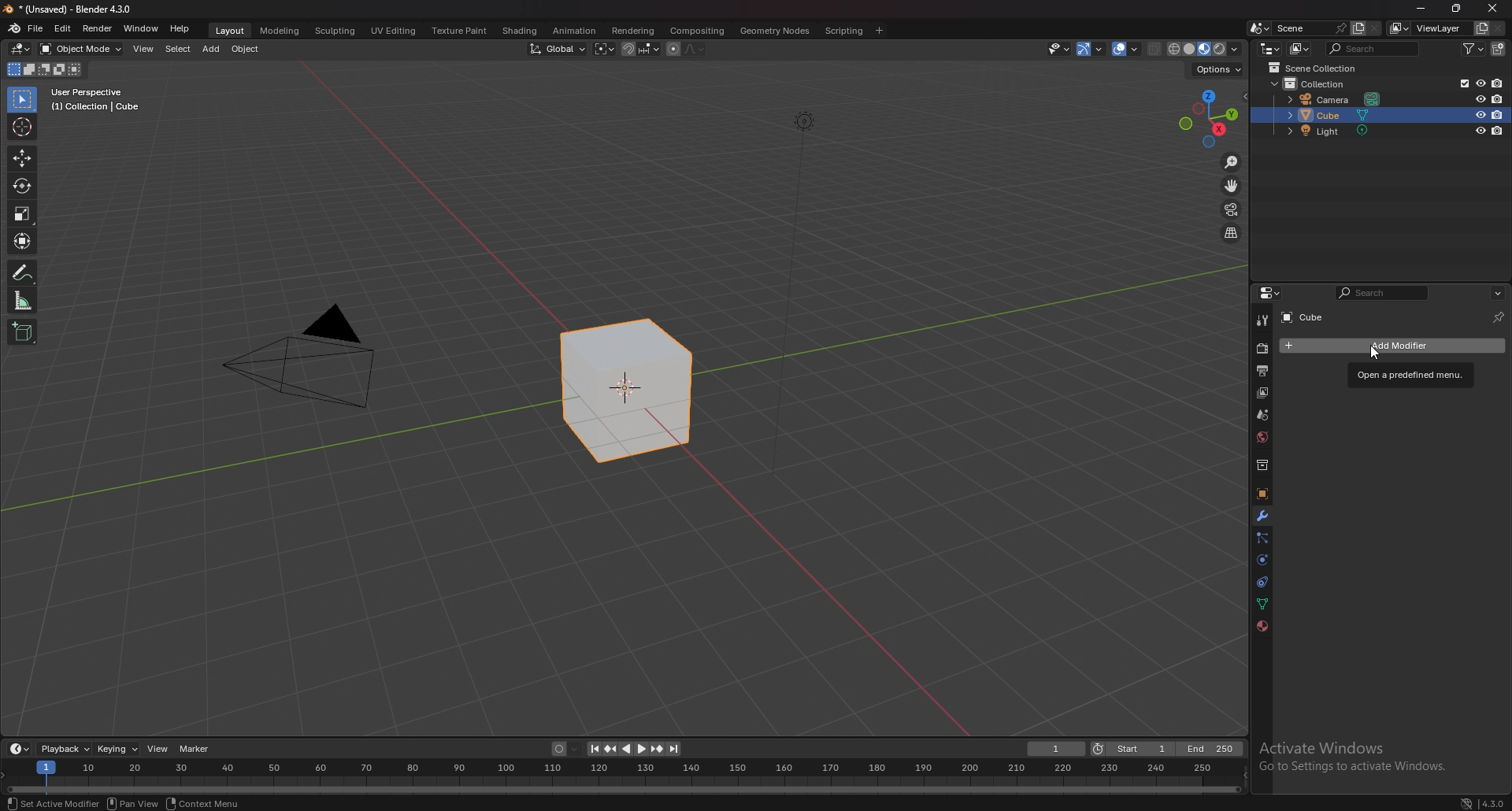  I want to click on physics, so click(1262, 561).